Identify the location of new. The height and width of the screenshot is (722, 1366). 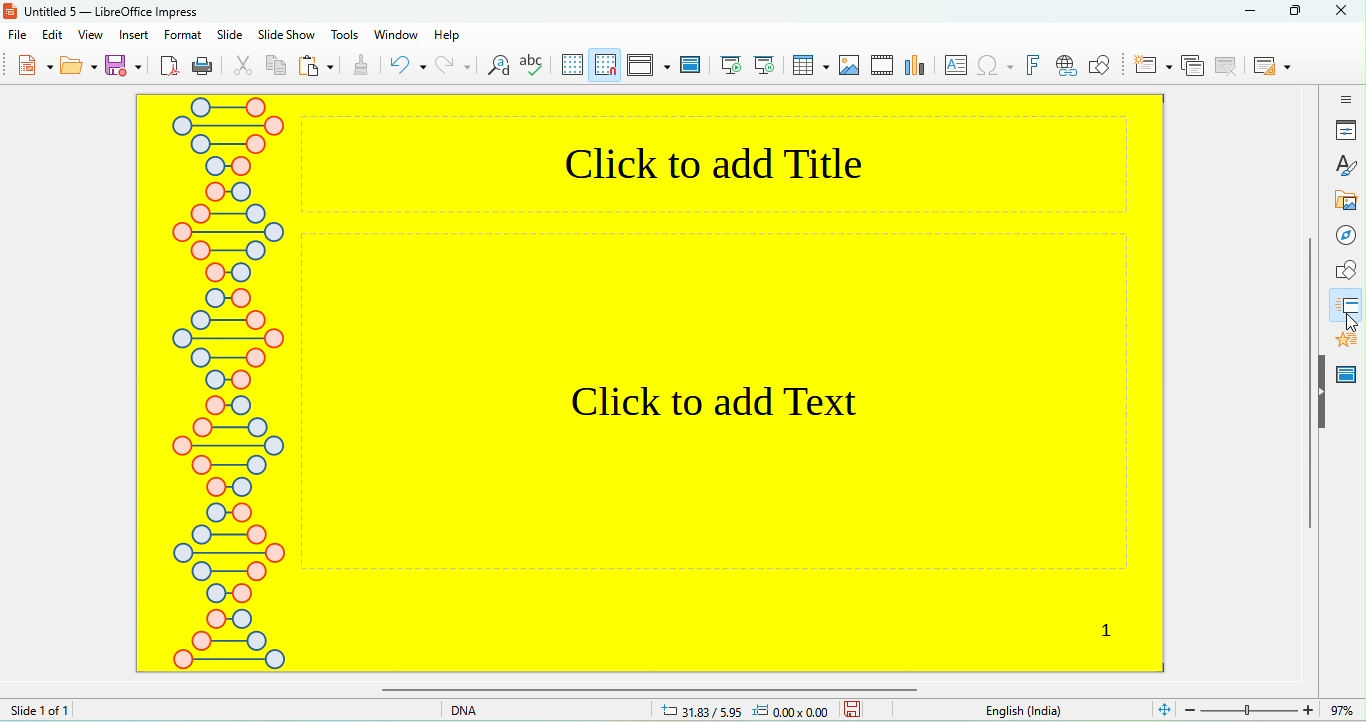
(28, 67).